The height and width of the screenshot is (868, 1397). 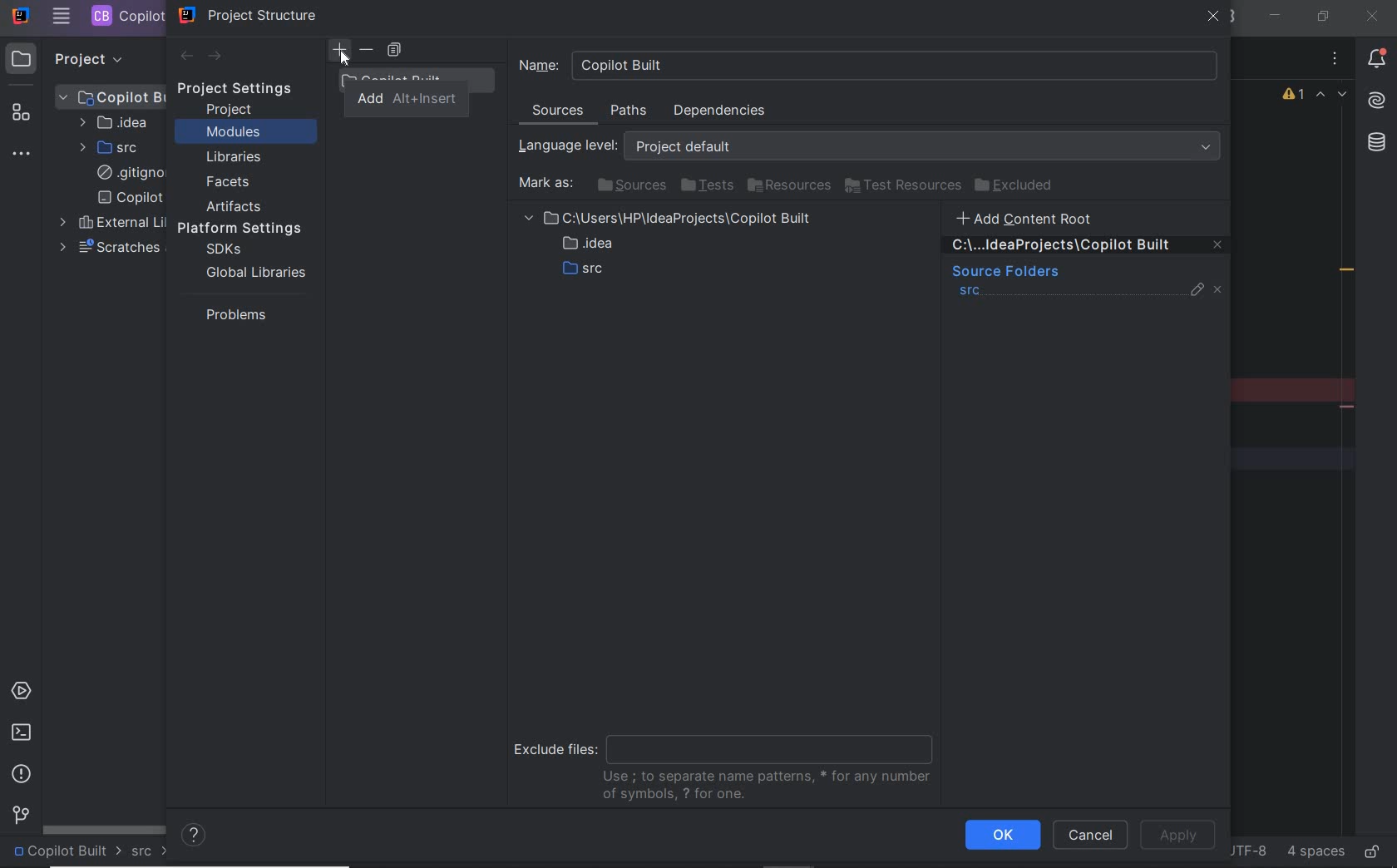 I want to click on PROJECT FILE NAME, so click(x=126, y=16).